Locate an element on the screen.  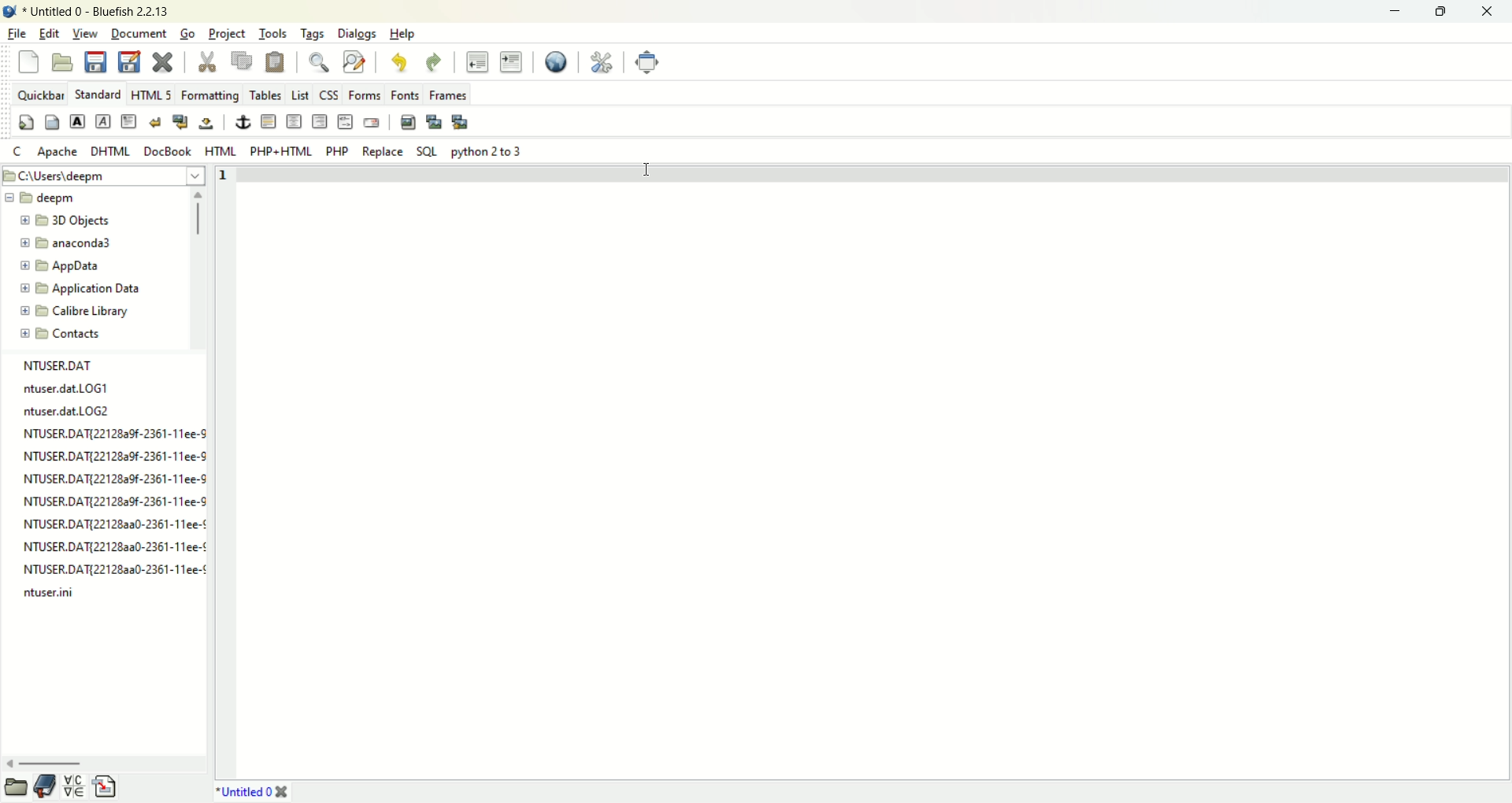
*Untitled 0 is located at coordinates (244, 790).